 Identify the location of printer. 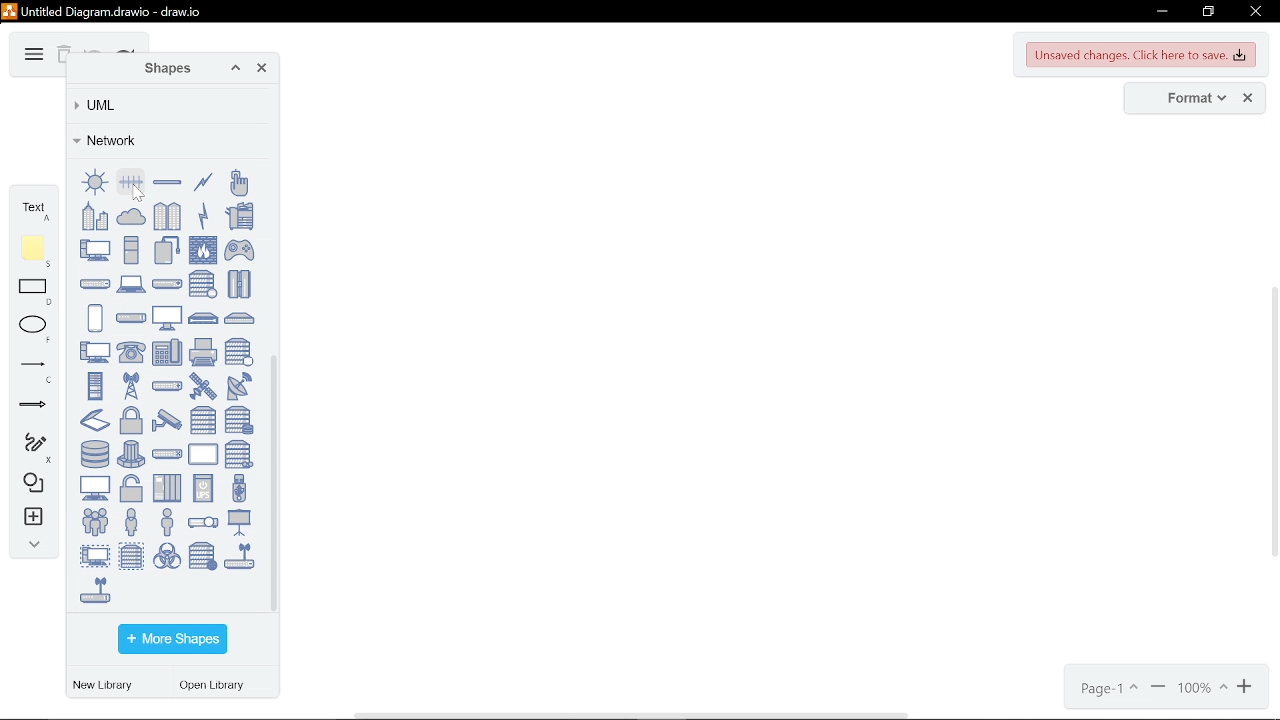
(203, 352).